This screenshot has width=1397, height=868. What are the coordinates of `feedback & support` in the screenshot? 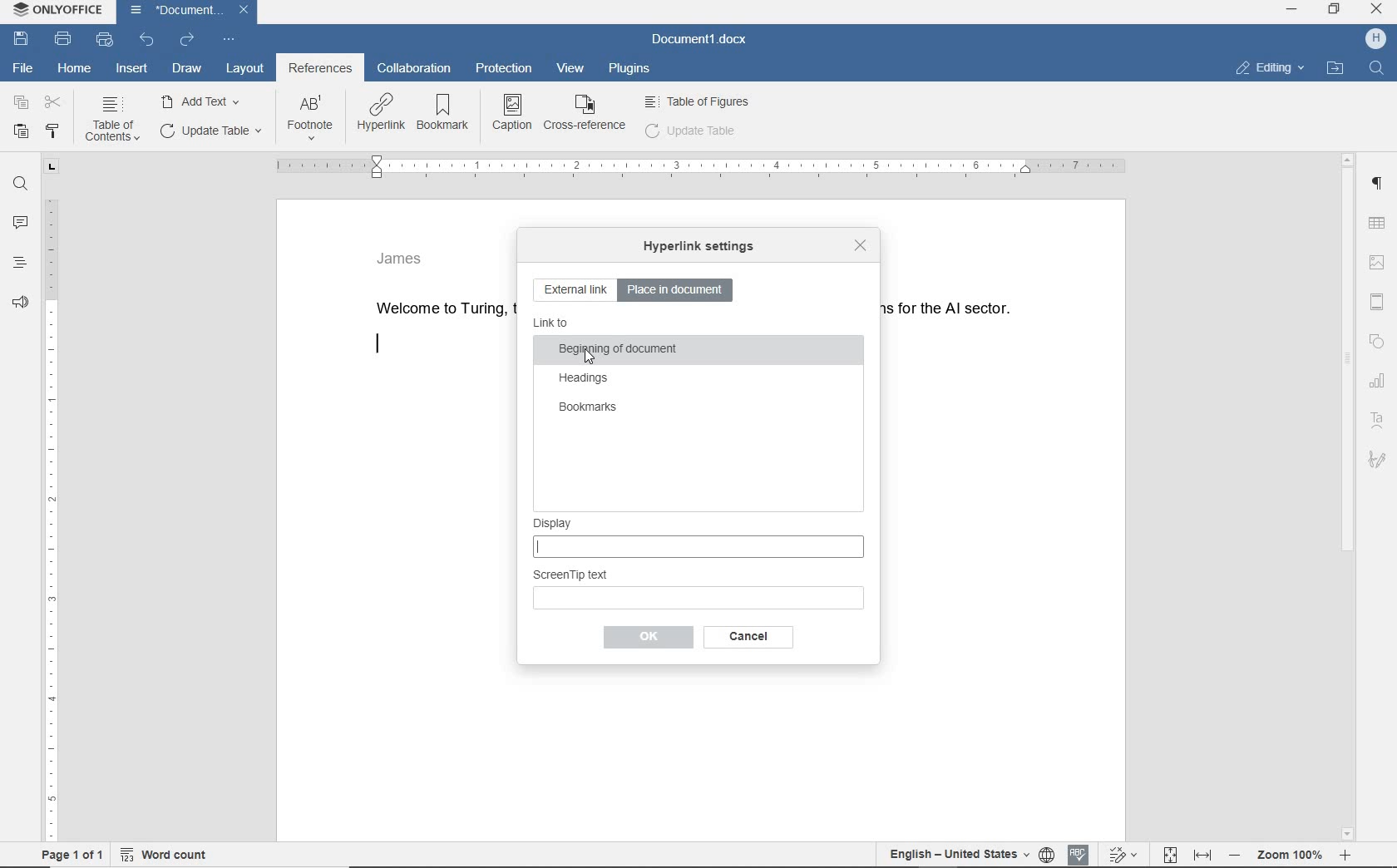 It's located at (18, 306).